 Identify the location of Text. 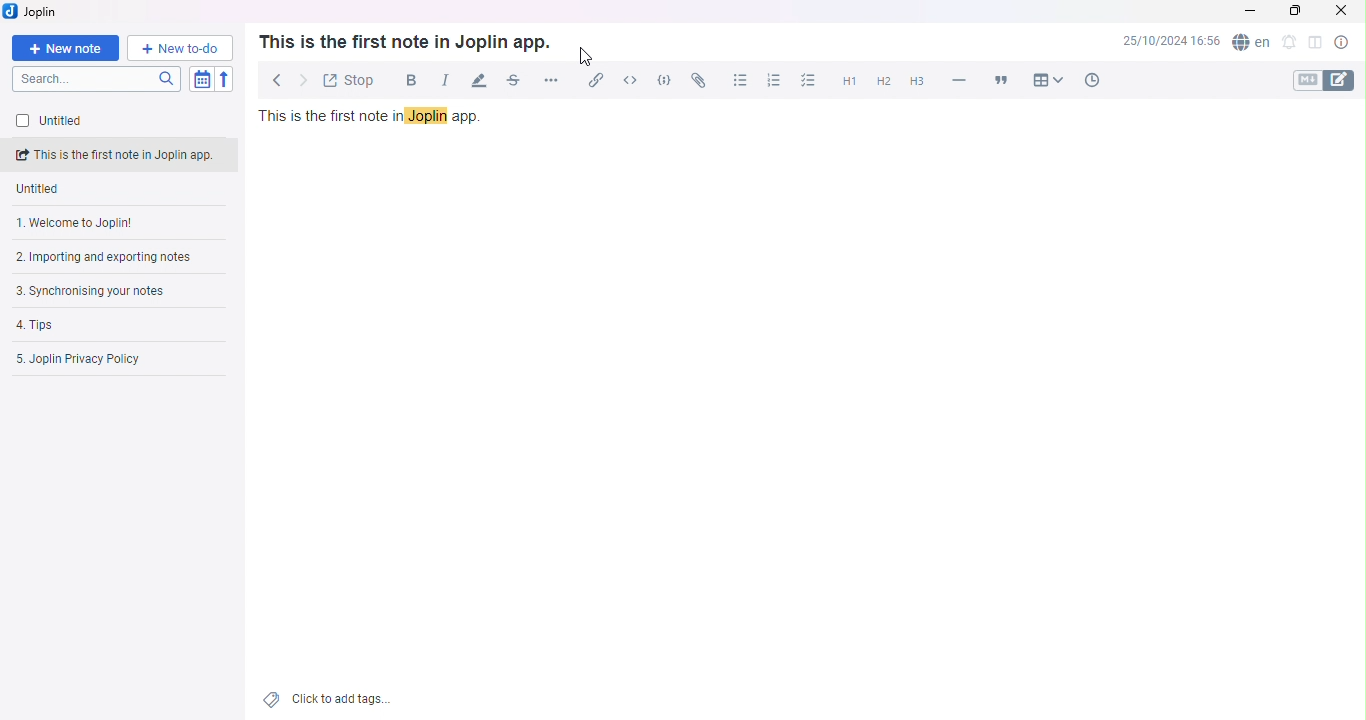
(404, 41).